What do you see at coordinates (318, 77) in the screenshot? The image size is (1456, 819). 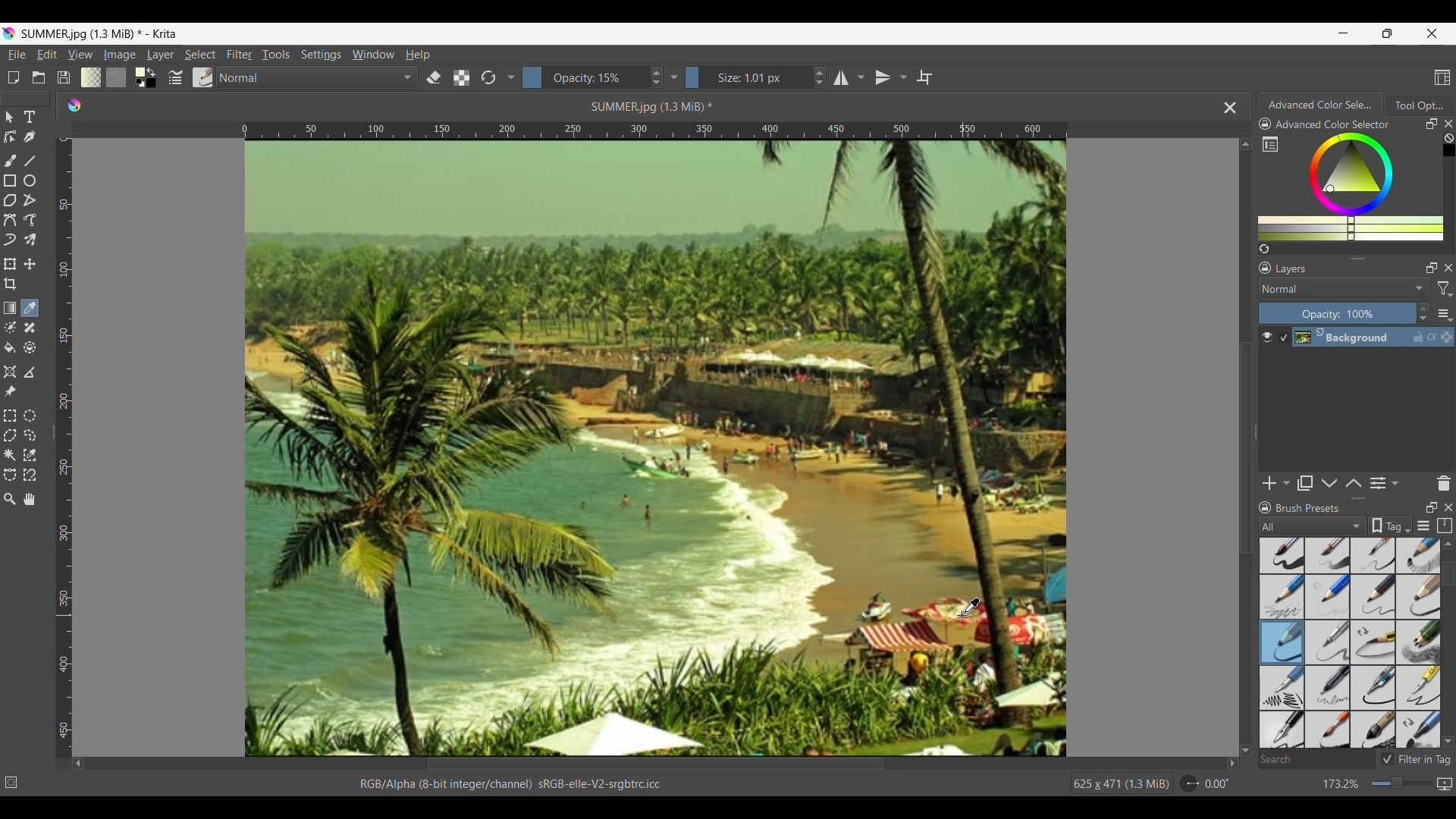 I see `Normal` at bounding box center [318, 77].